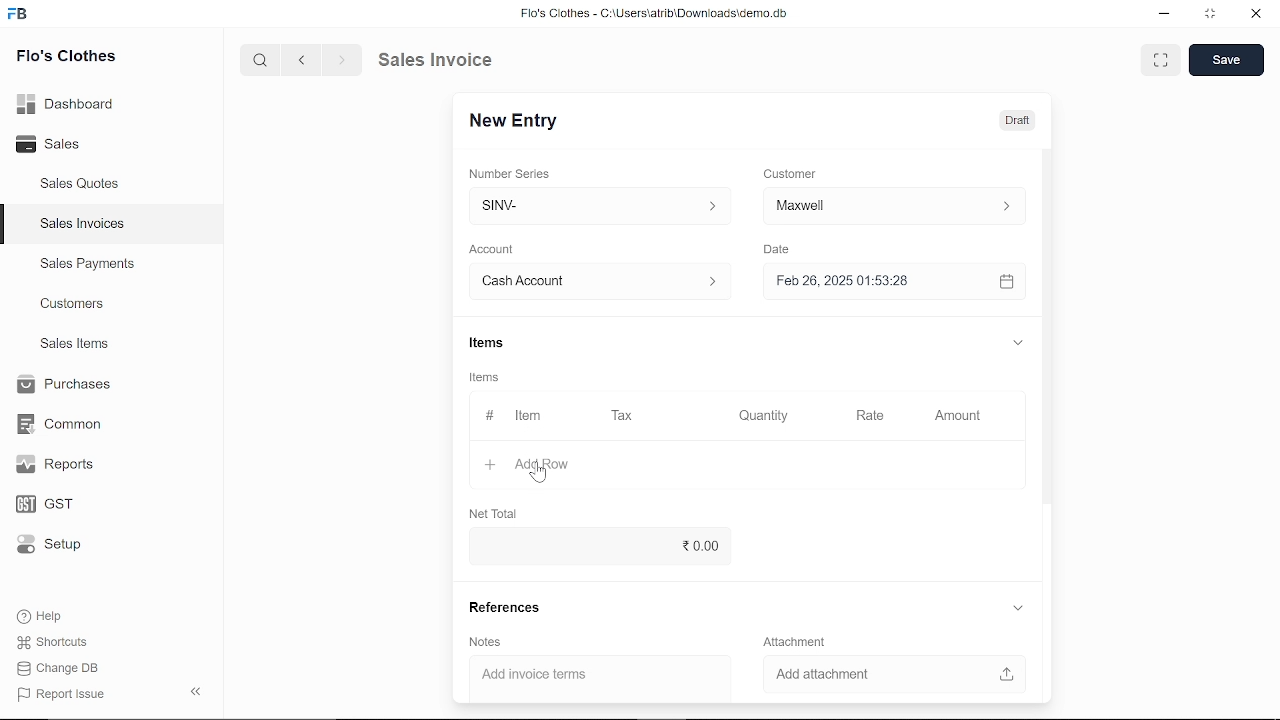 The width and height of the screenshot is (1280, 720). What do you see at coordinates (626, 416) in the screenshot?
I see `Tax` at bounding box center [626, 416].